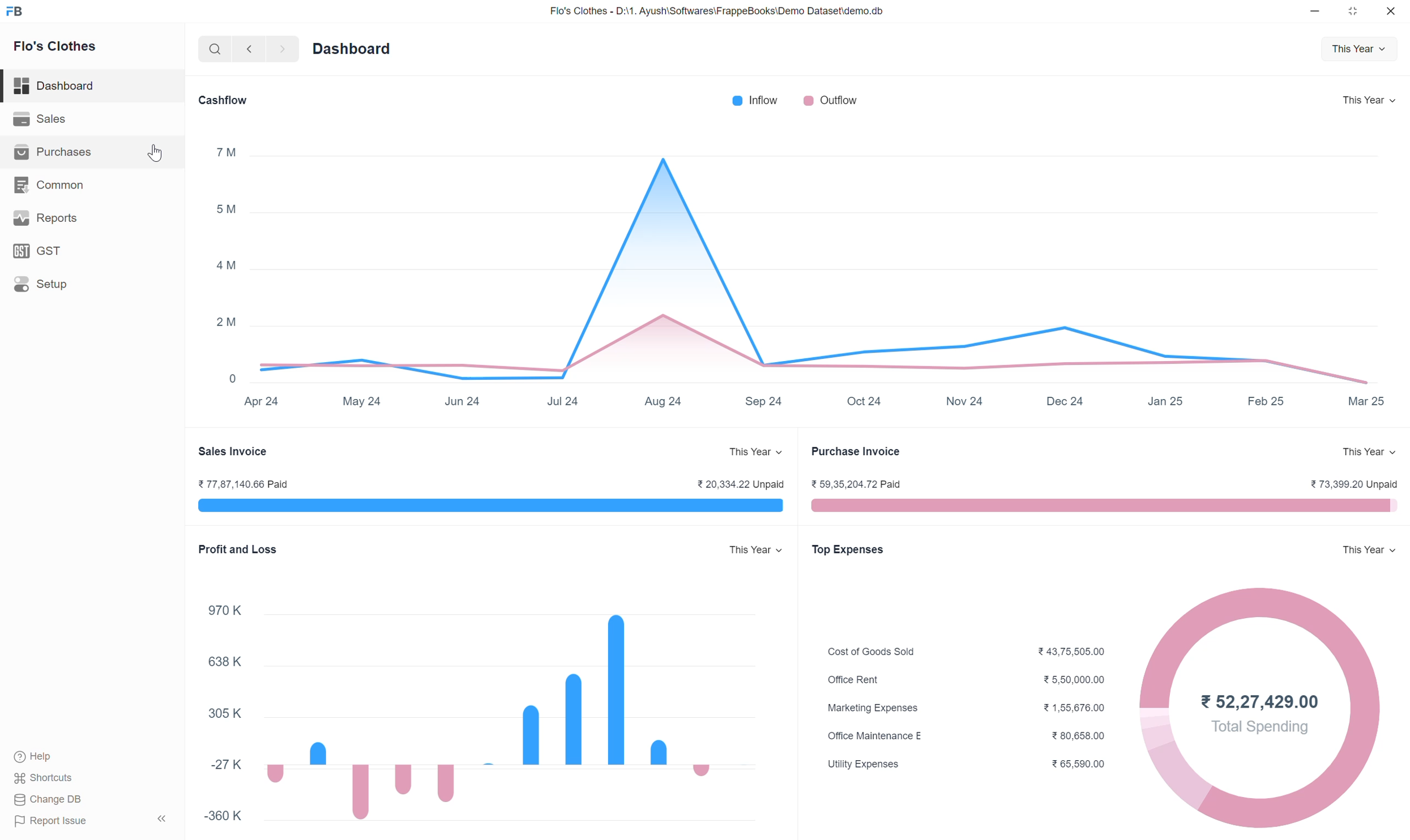  Describe the element at coordinates (217, 816) in the screenshot. I see `-360 K` at that location.